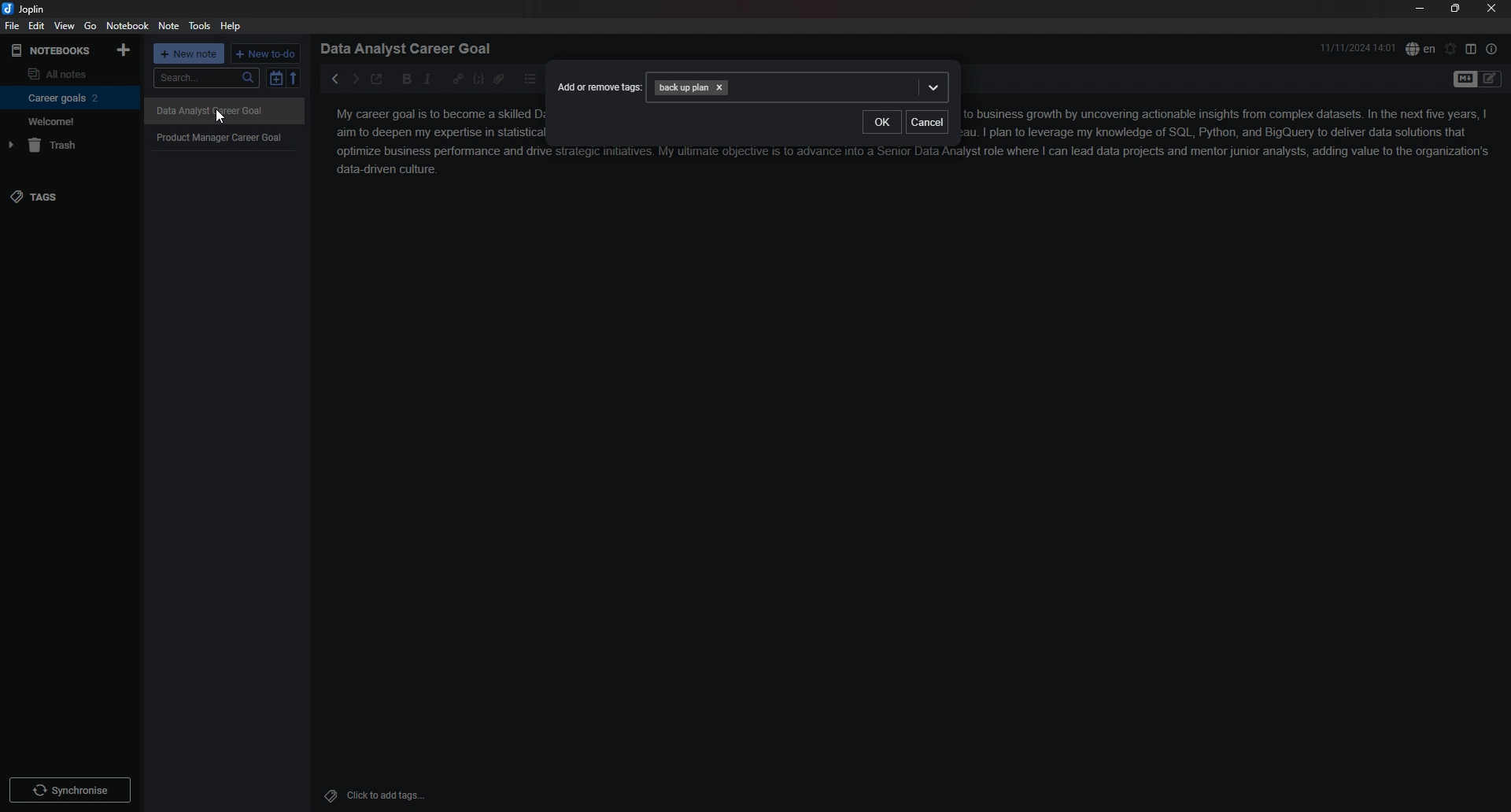  I want to click on Welcome!, so click(66, 120).